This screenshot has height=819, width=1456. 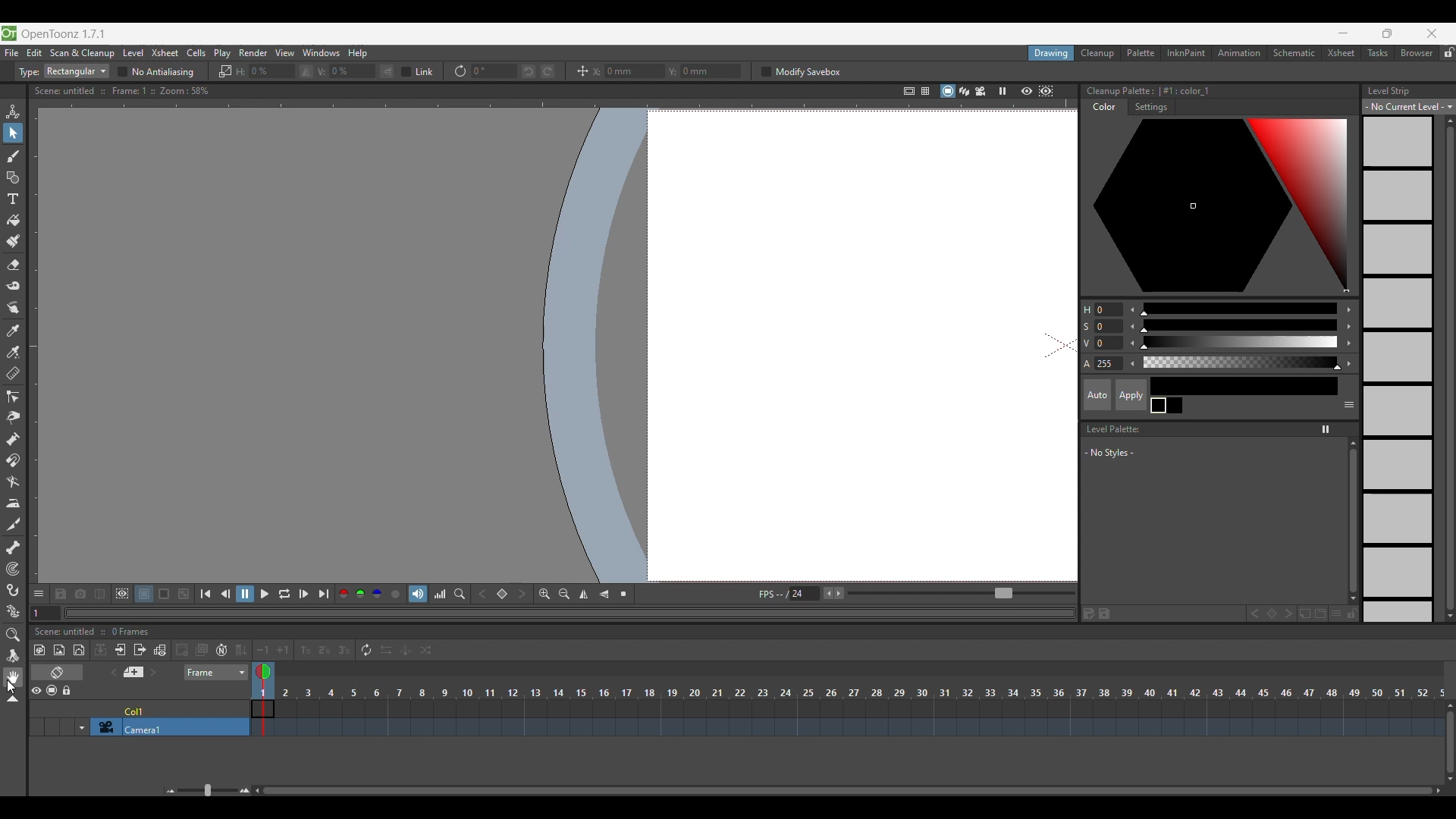 I want to click on Fill tool, so click(x=13, y=220).